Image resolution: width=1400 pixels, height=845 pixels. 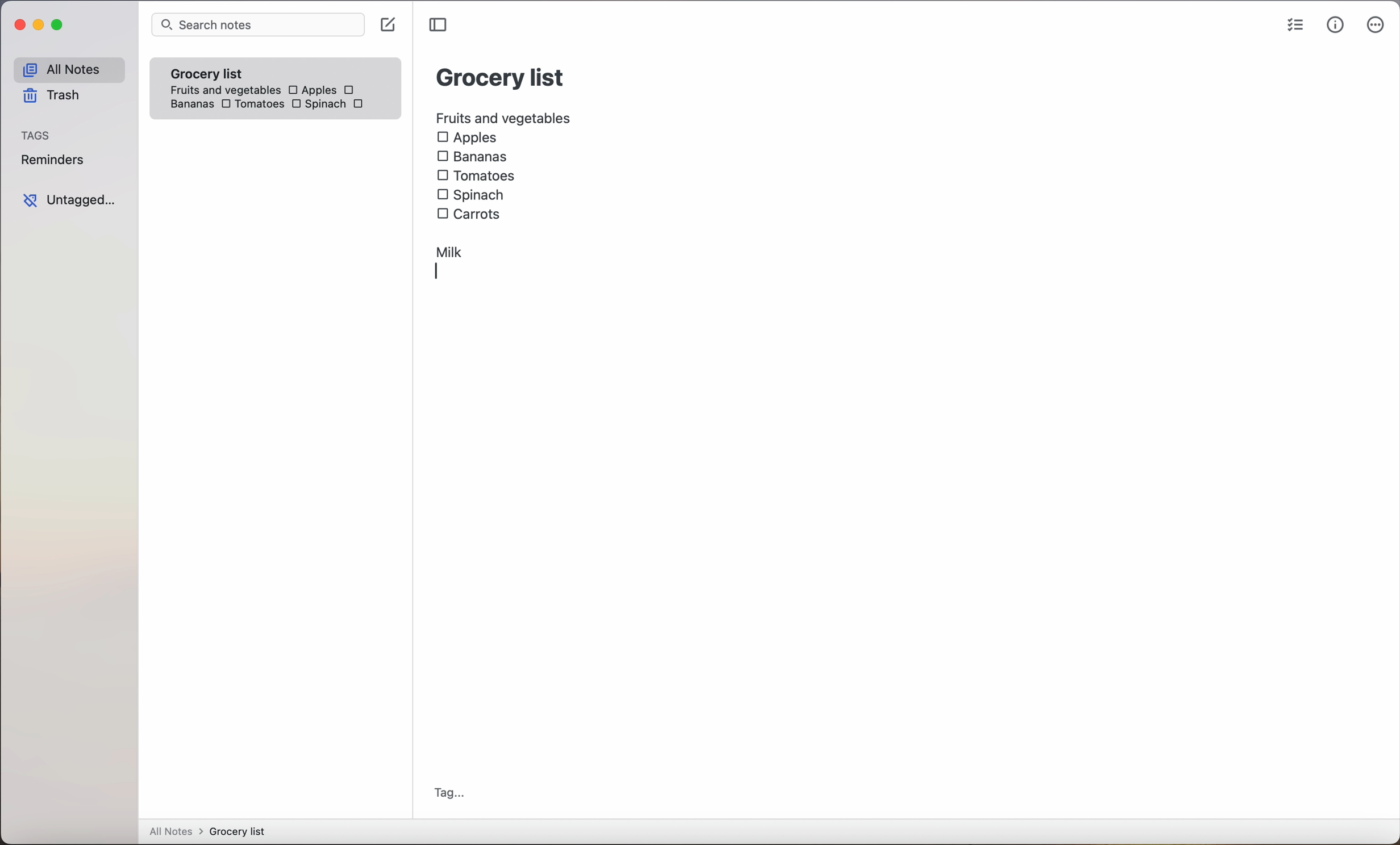 What do you see at coordinates (257, 26) in the screenshot?
I see `search bar` at bounding box center [257, 26].